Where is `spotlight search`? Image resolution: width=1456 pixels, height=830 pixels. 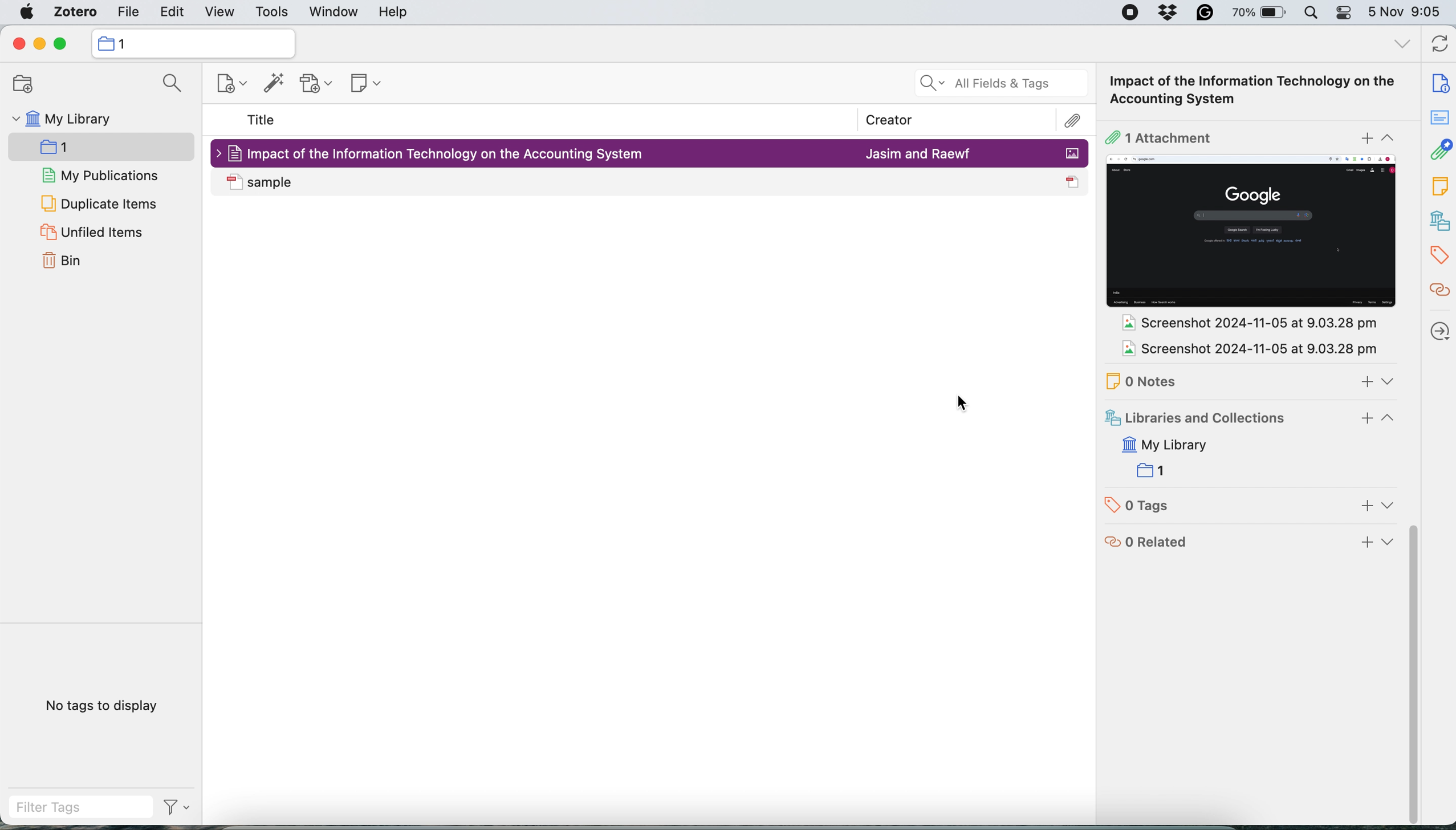
spotlight search is located at coordinates (1311, 14).